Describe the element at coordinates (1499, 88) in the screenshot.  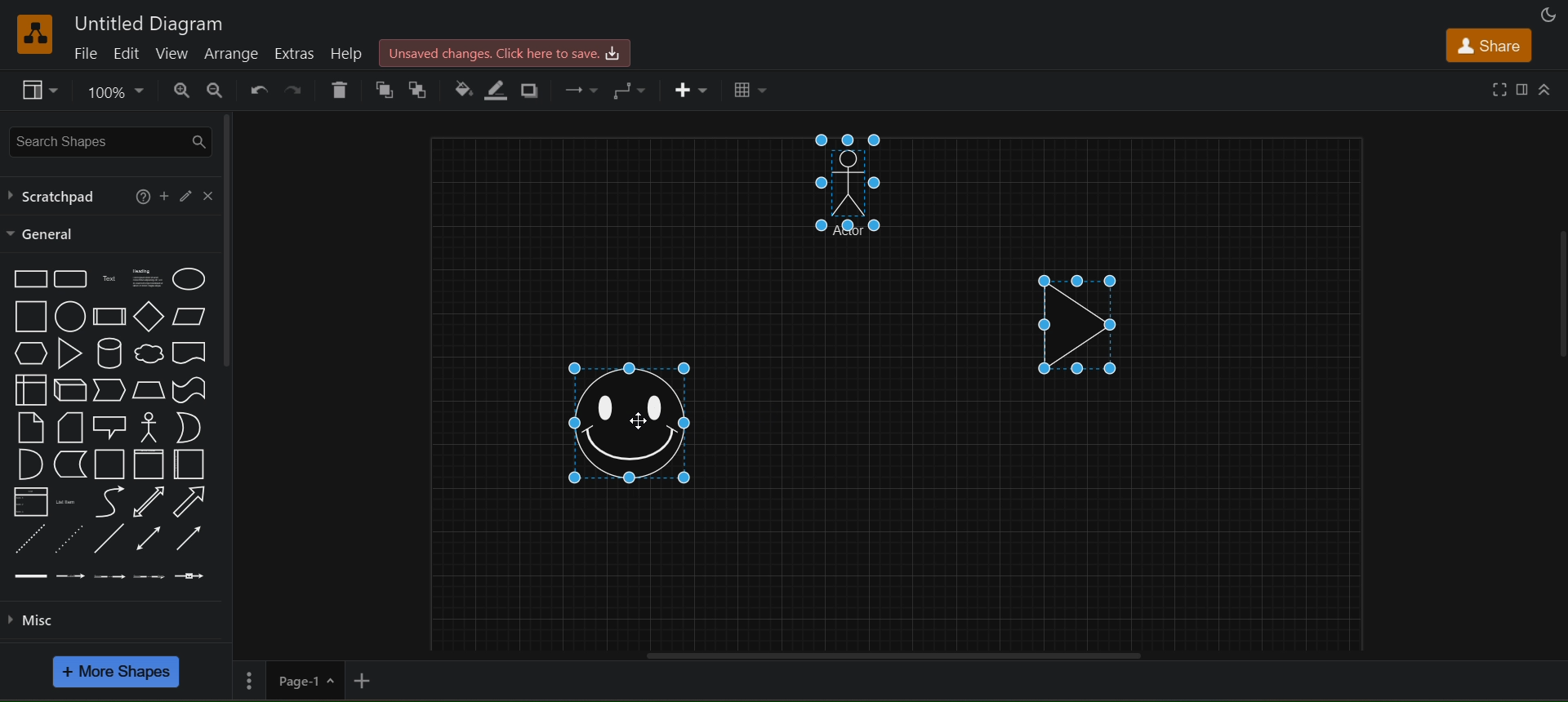
I see `fullscreen` at that location.